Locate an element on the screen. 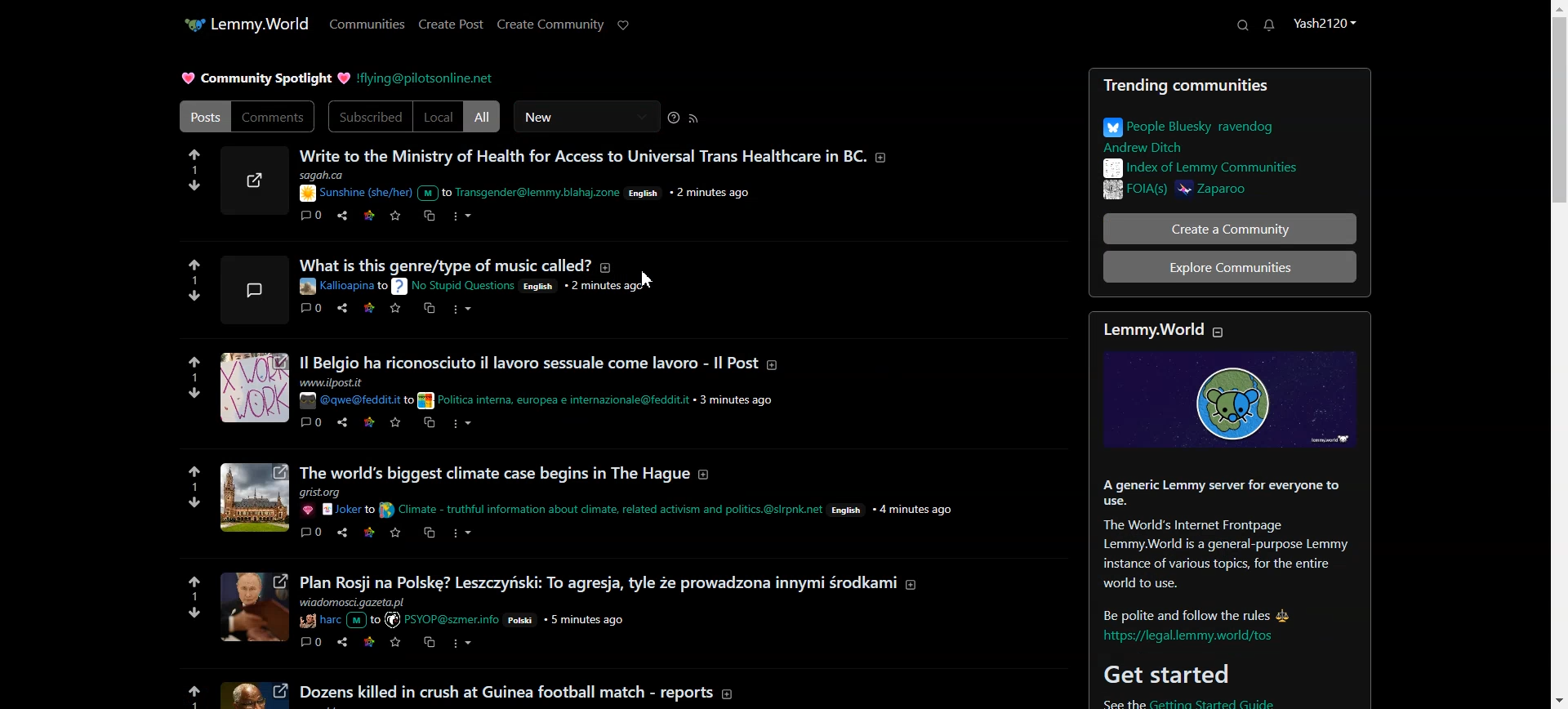 The width and height of the screenshot is (1568, 709). Getting Started Guide is located at coordinates (1243, 702).